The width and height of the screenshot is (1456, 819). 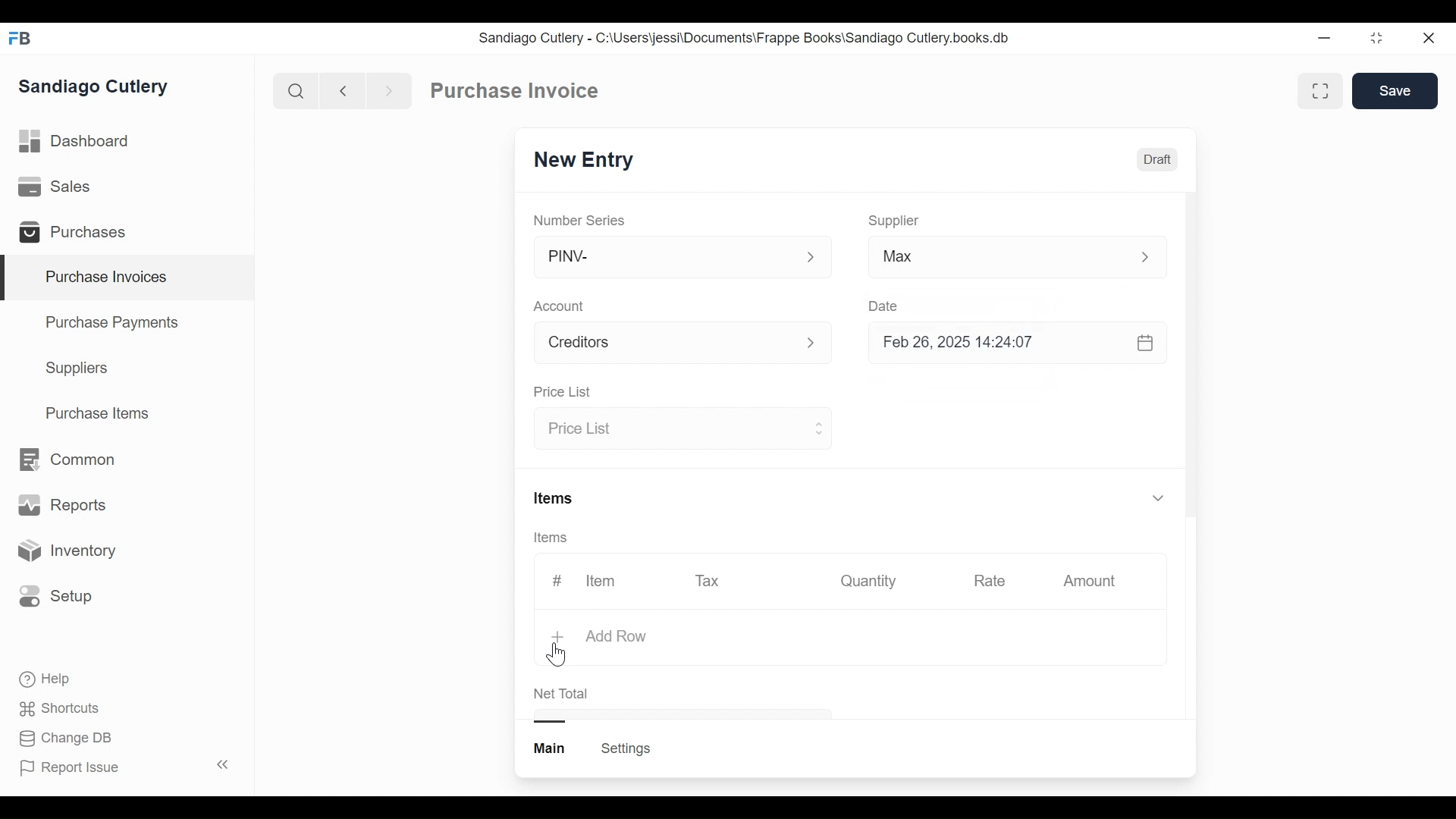 What do you see at coordinates (516, 91) in the screenshot?
I see `Purchase Invoice` at bounding box center [516, 91].